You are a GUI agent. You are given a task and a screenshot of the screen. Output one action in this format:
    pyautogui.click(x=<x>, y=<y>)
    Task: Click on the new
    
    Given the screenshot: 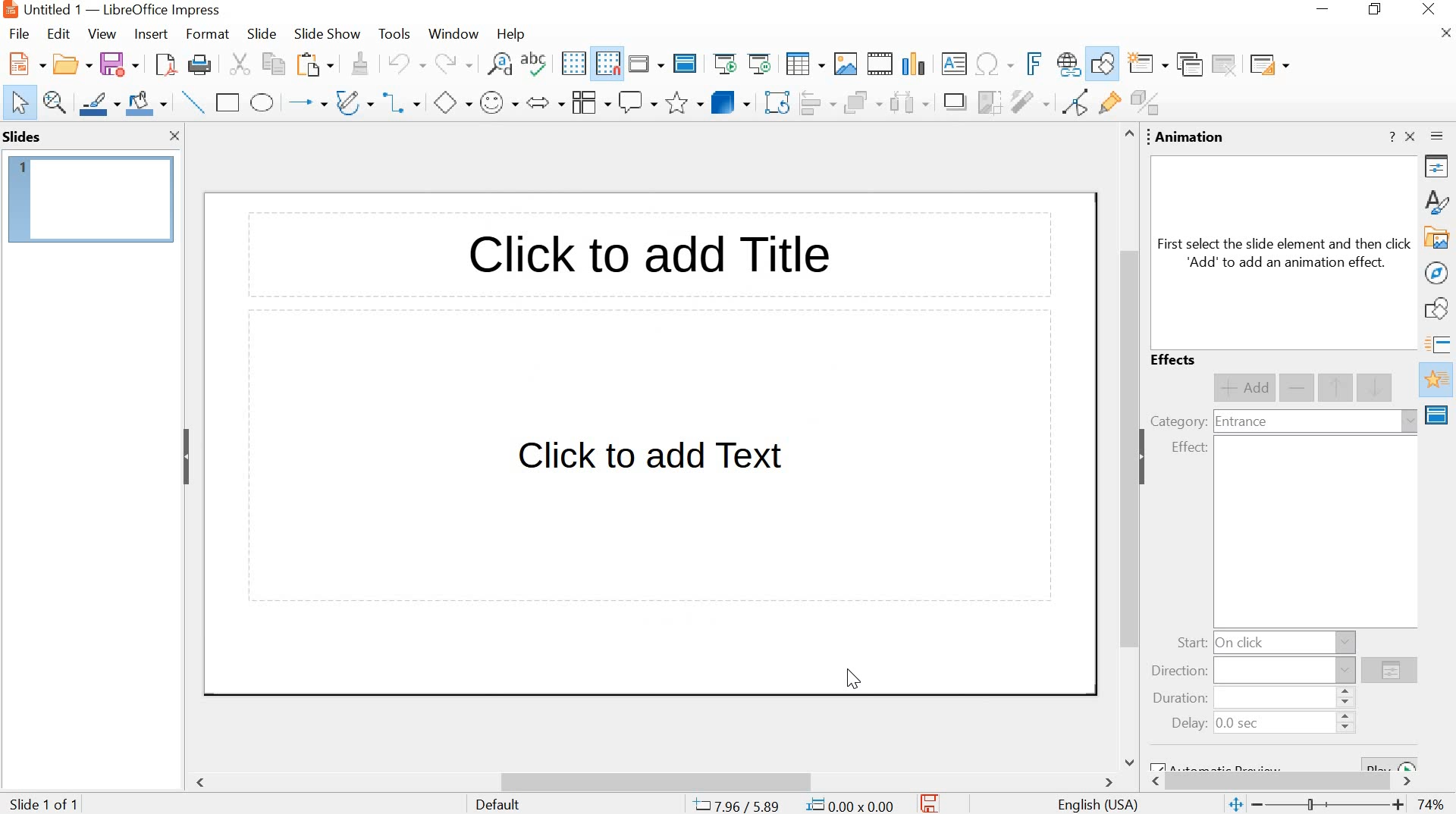 What is the action you would take?
    pyautogui.click(x=24, y=64)
    